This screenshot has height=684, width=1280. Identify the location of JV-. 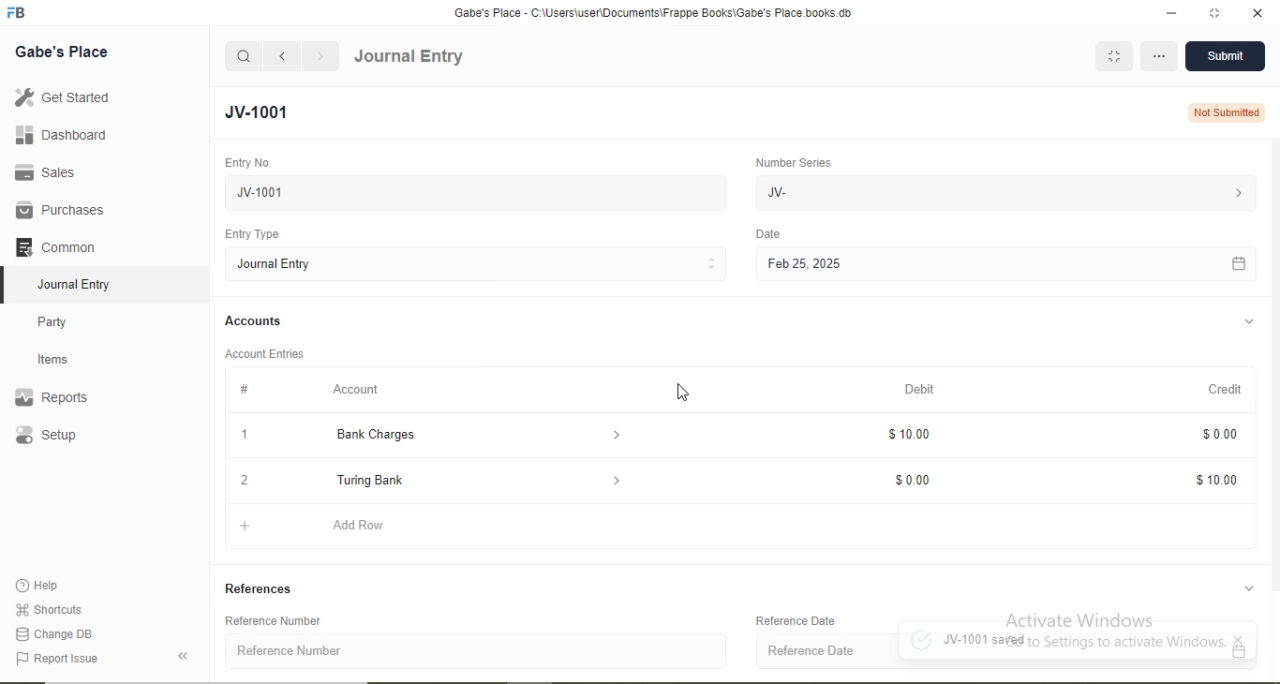
(1003, 191).